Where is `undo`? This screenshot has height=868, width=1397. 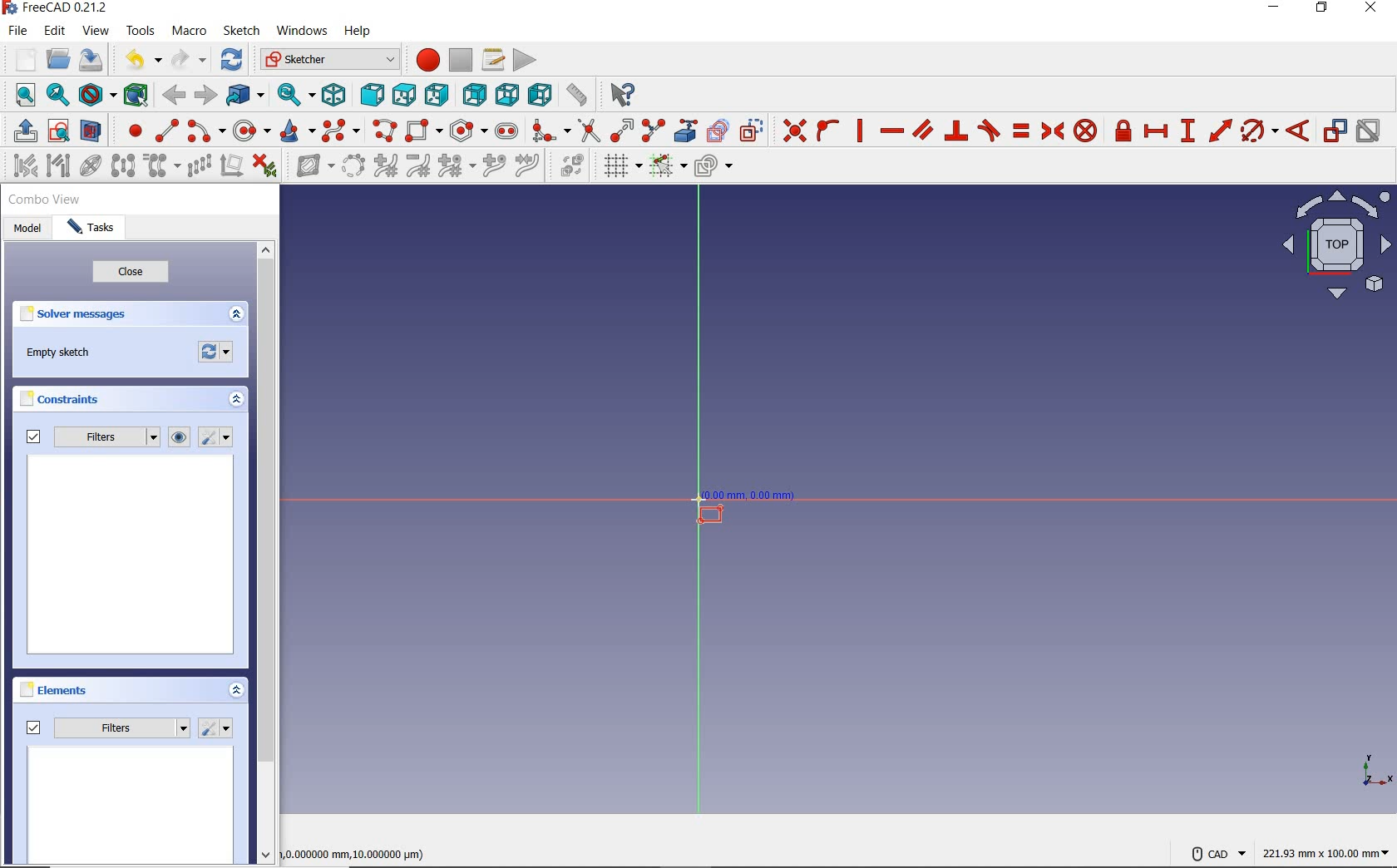 undo is located at coordinates (144, 62).